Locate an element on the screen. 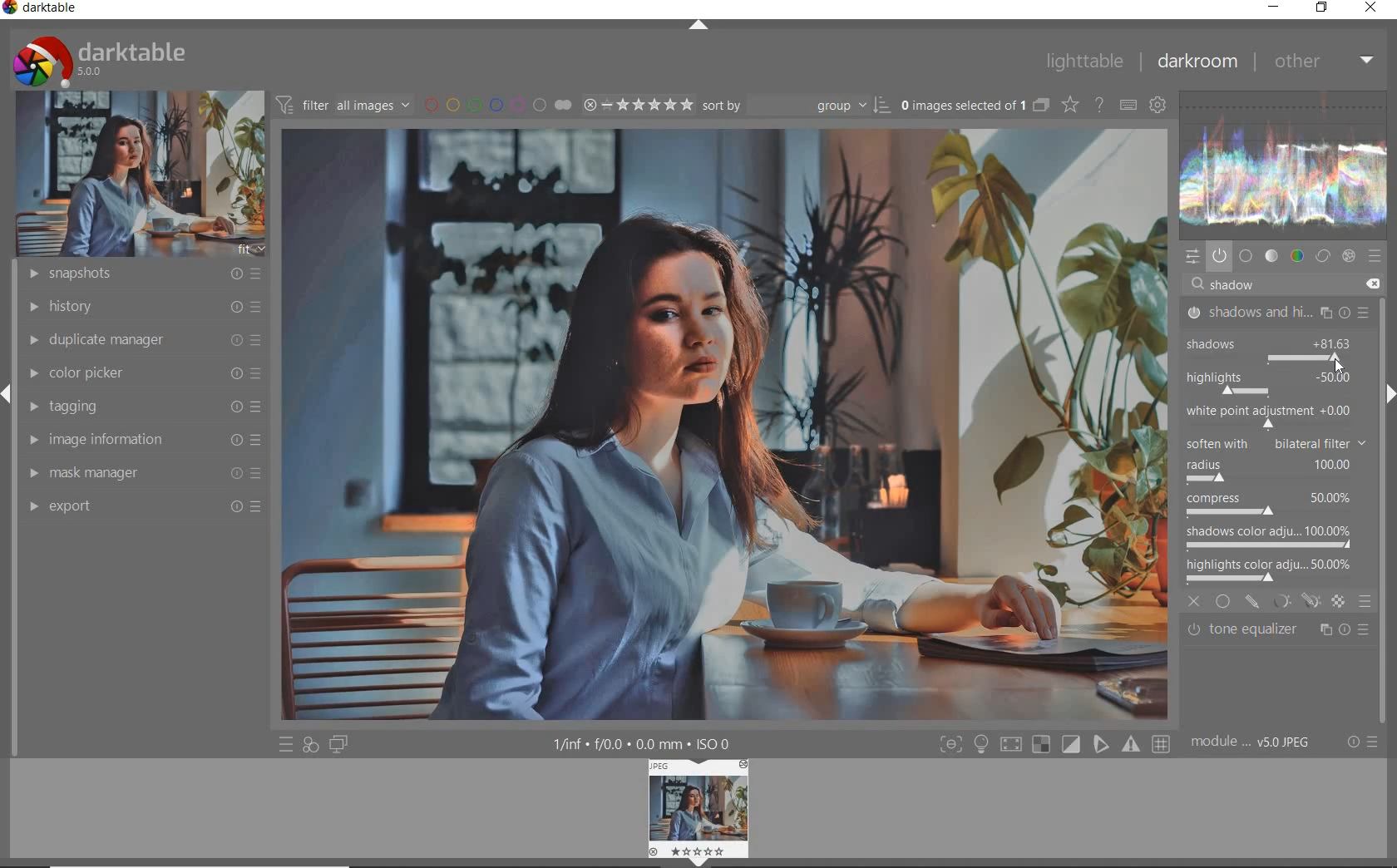 Image resolution: width=1397 pixels, height=868 pixels. history is located at coordinates (141, 305).